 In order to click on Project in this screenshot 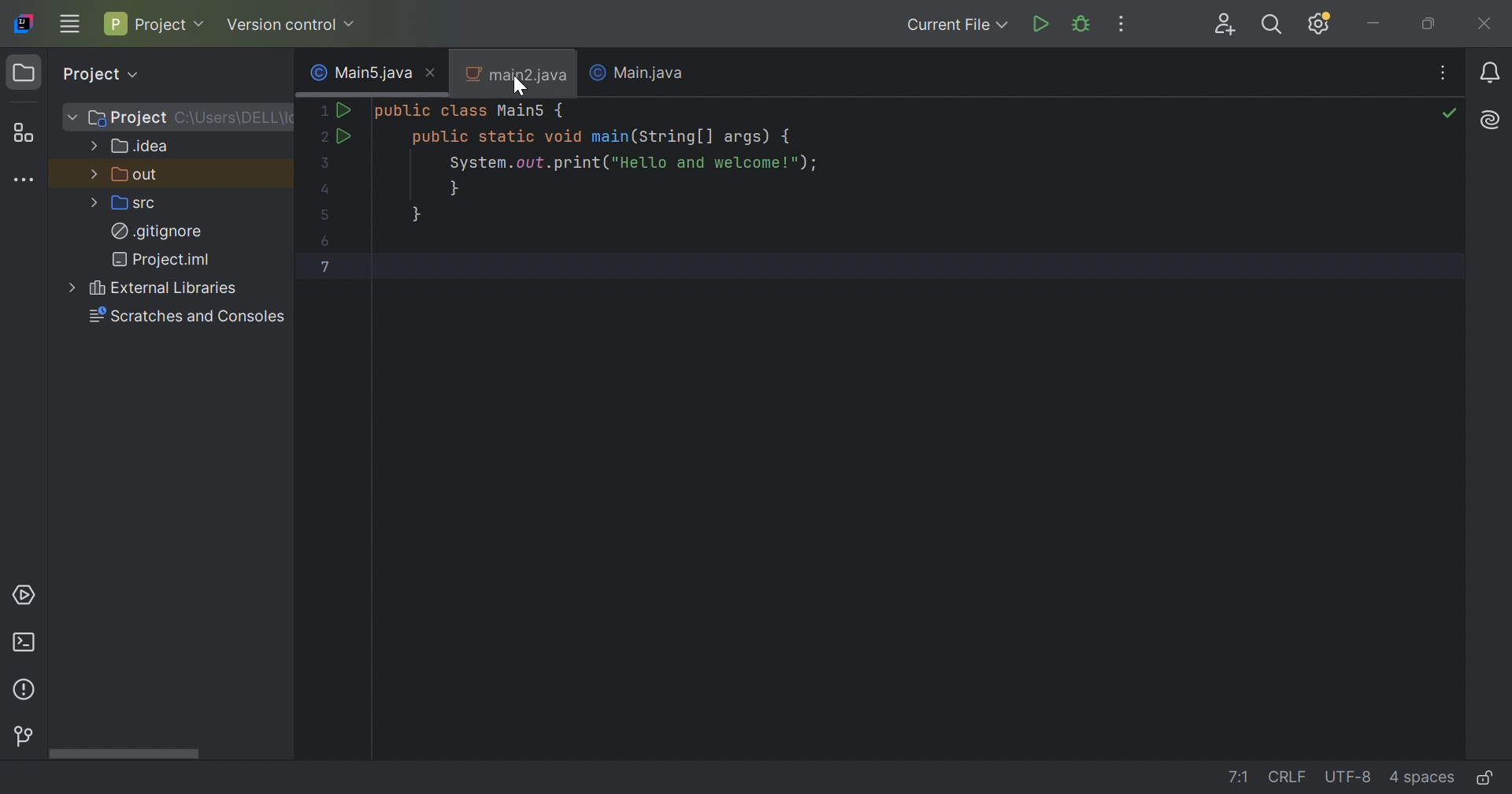, I will do `click(156, 21)`.